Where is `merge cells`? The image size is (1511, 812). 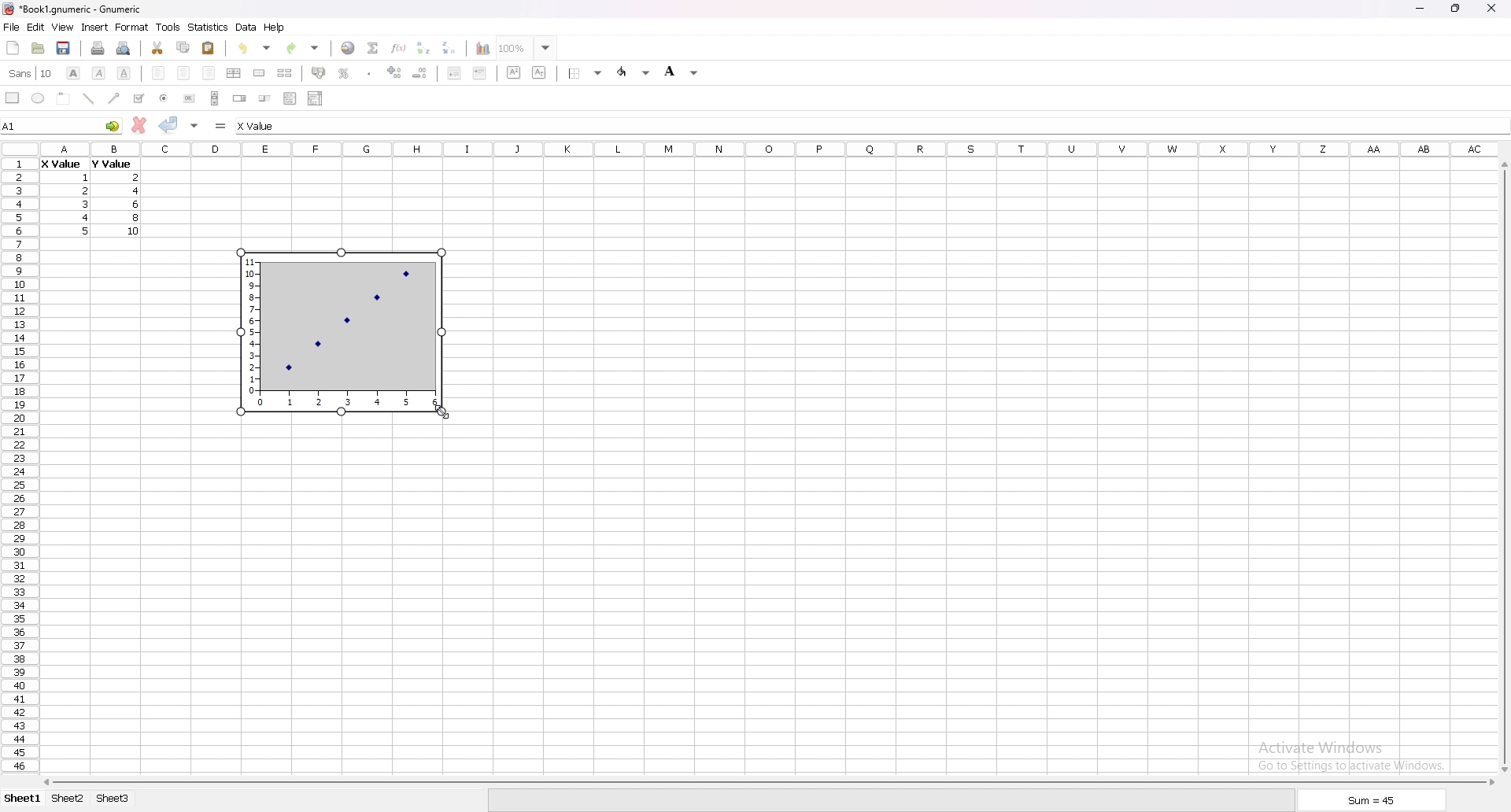 merge cells is located at coordinates (259, 73).